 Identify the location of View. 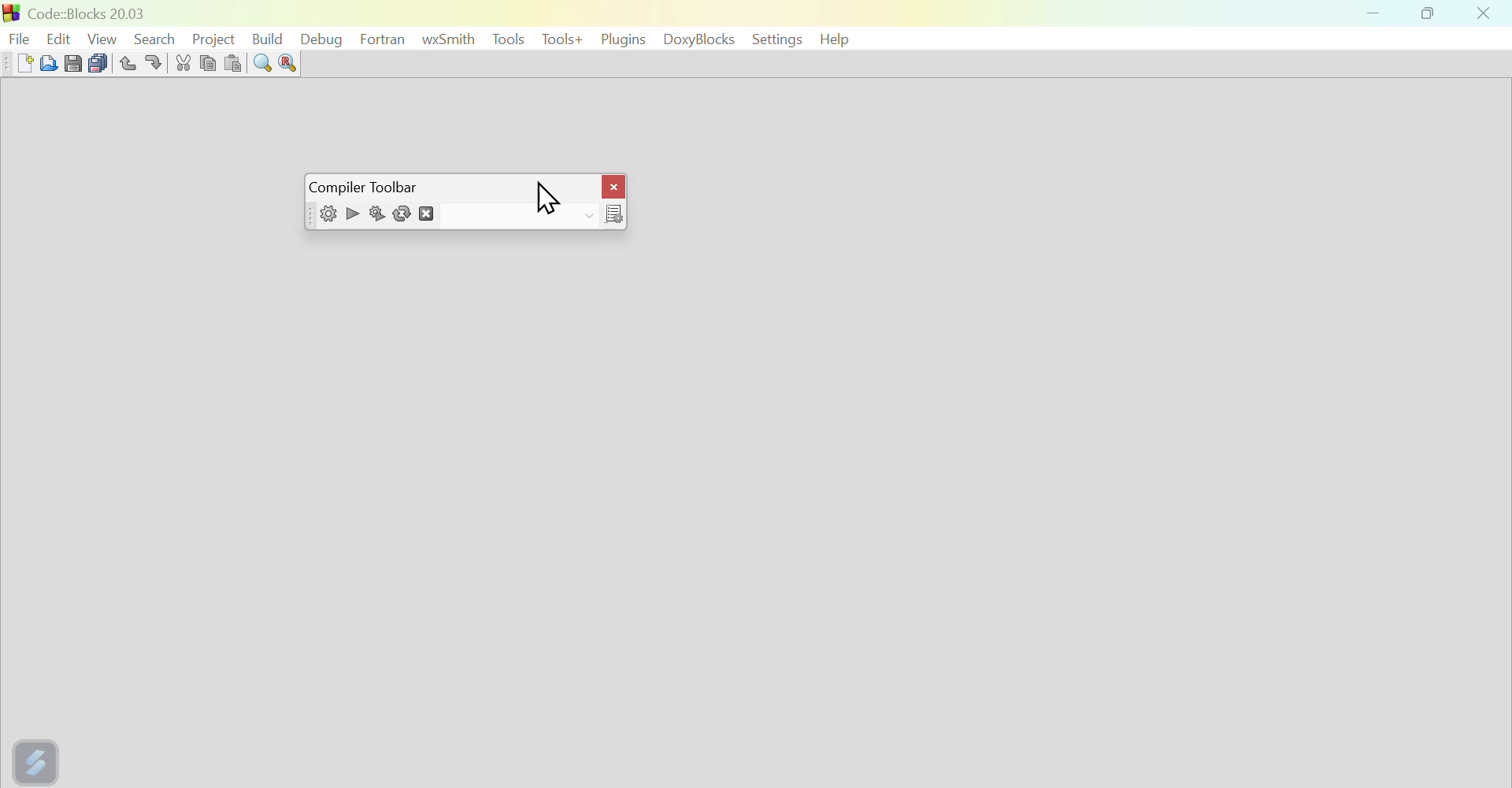
(103, 36).